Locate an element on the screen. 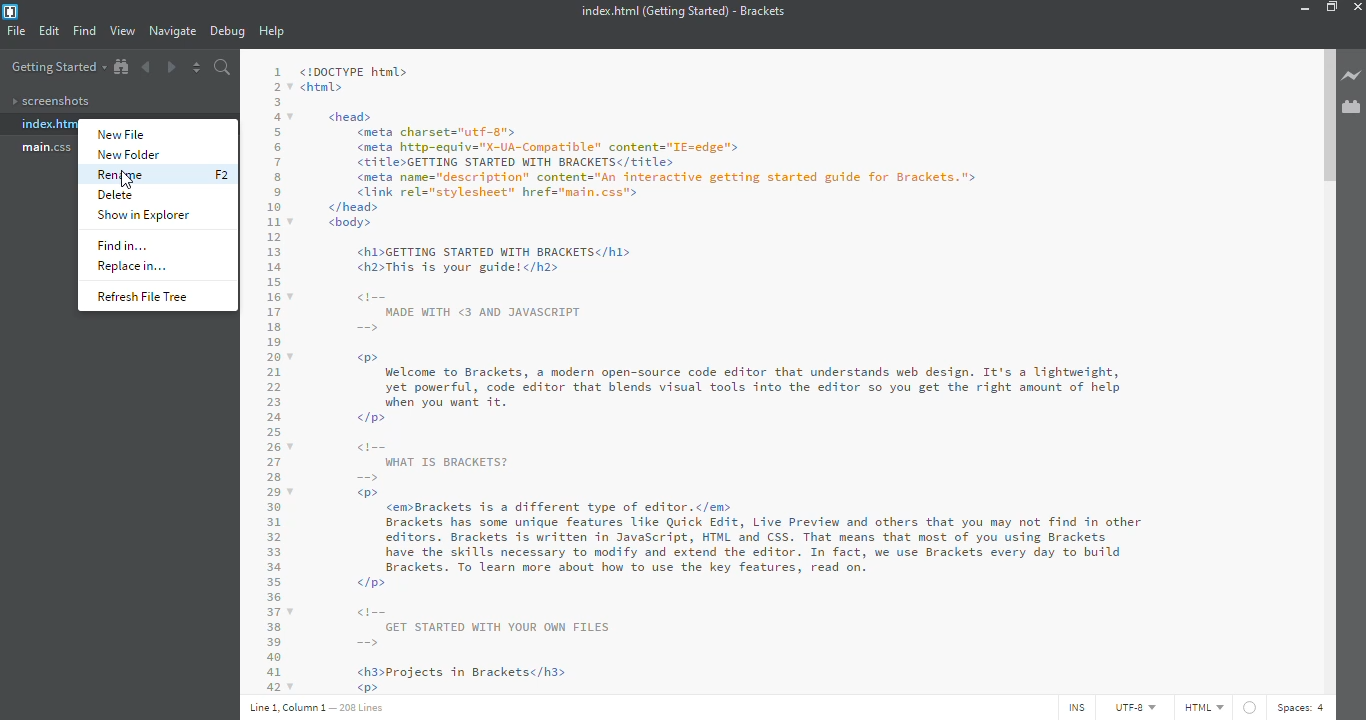 This screenshot has width=1366, height=720. main is located at coordinates (49, 148).